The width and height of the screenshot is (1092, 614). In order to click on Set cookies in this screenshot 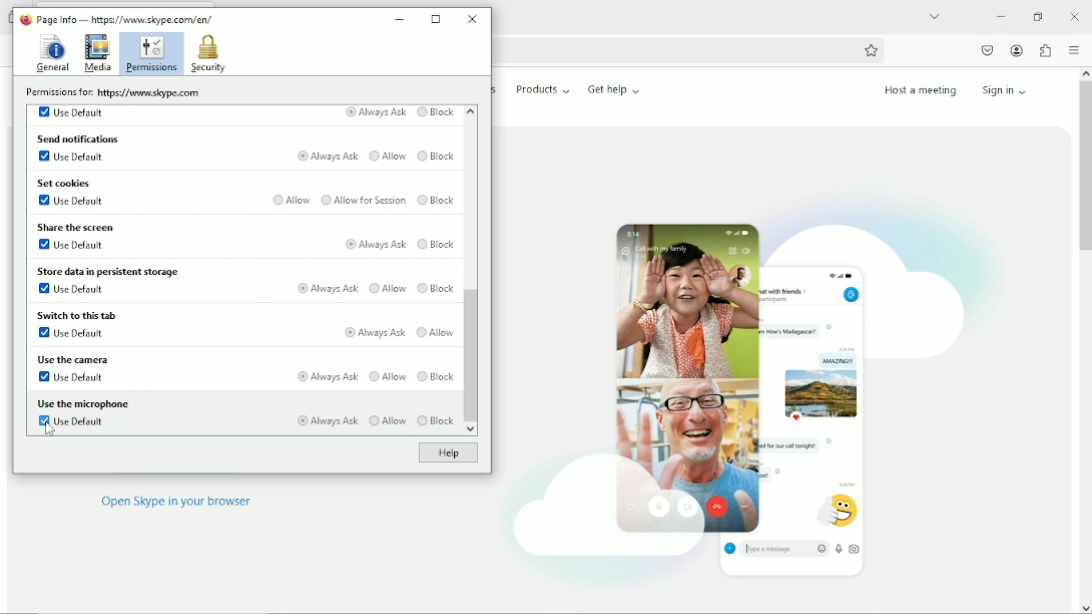, I will do `click(66, 183)`.